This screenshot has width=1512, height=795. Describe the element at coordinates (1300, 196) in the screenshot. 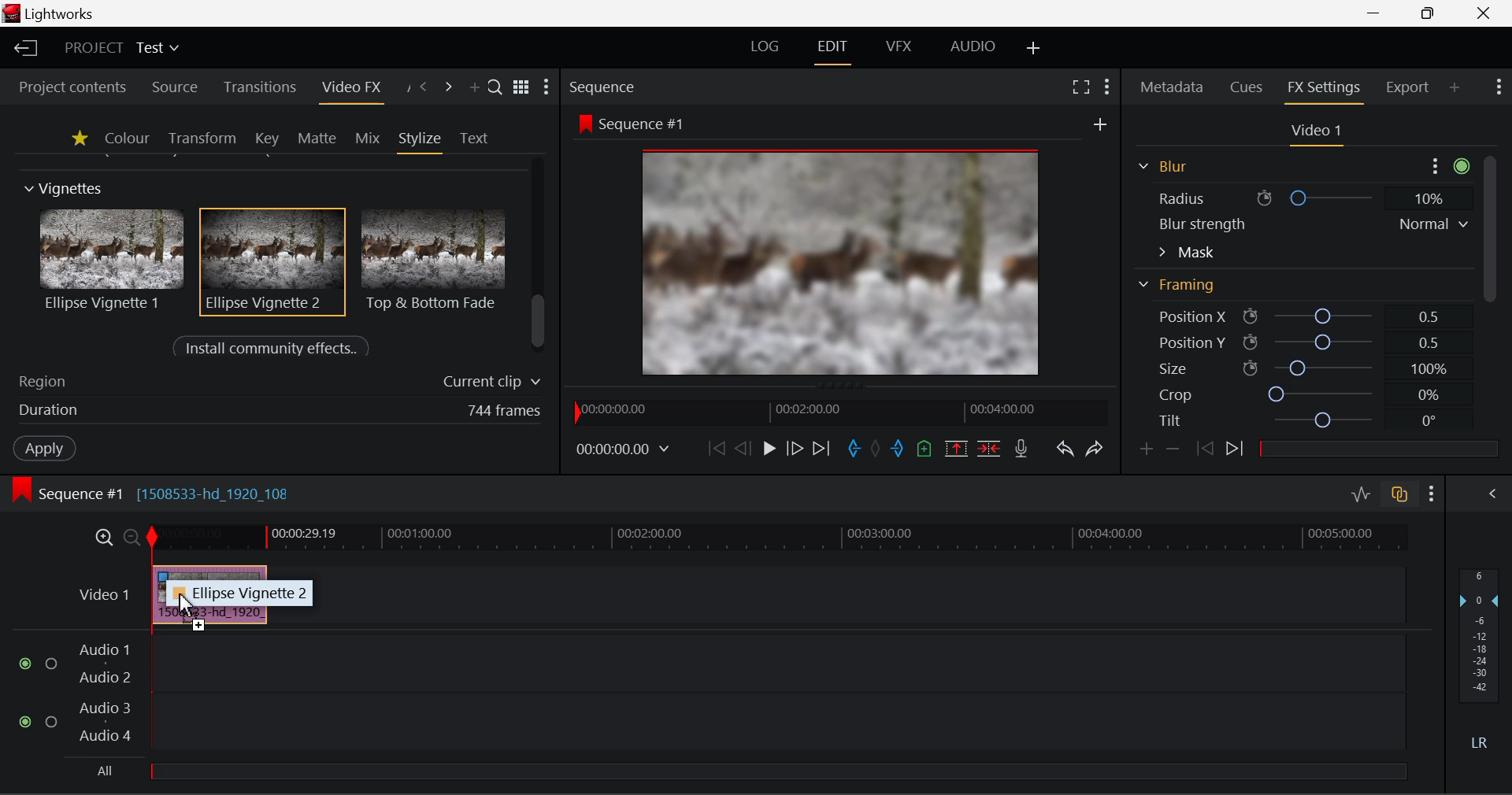

I see `Radius ® O 10%` at that location.